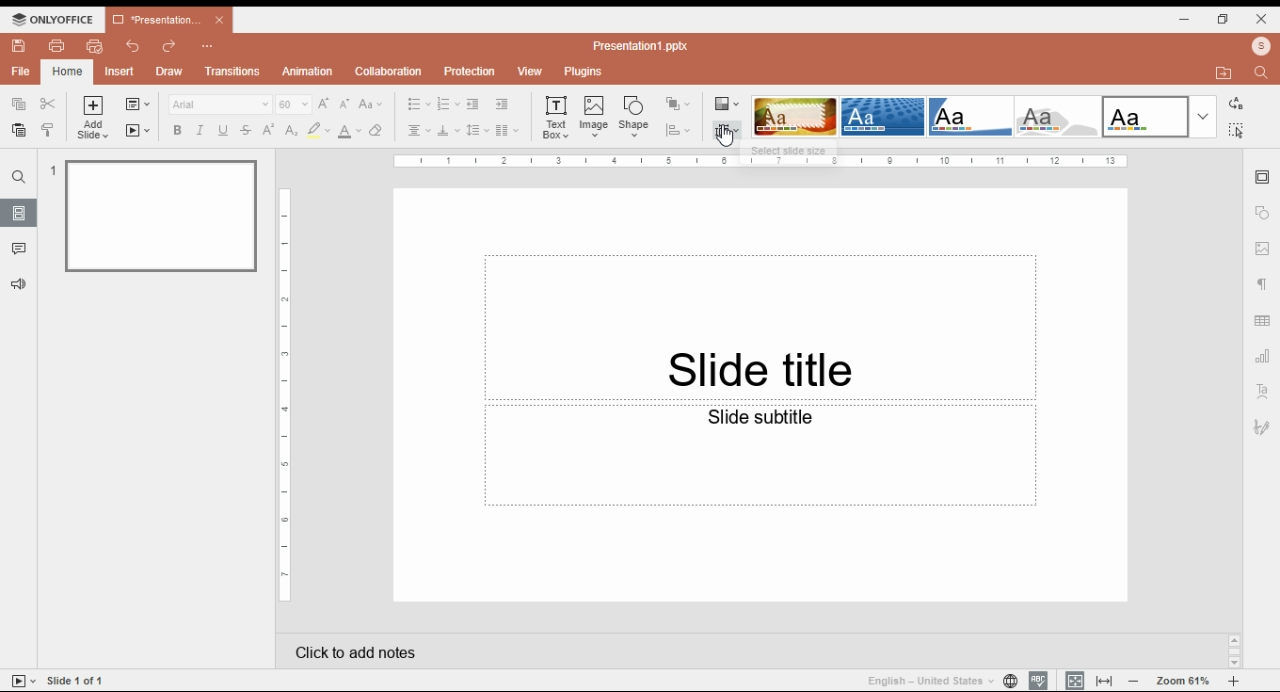 This screenshot has height=692, width=1280. I want to click on view, so click(529, 72).